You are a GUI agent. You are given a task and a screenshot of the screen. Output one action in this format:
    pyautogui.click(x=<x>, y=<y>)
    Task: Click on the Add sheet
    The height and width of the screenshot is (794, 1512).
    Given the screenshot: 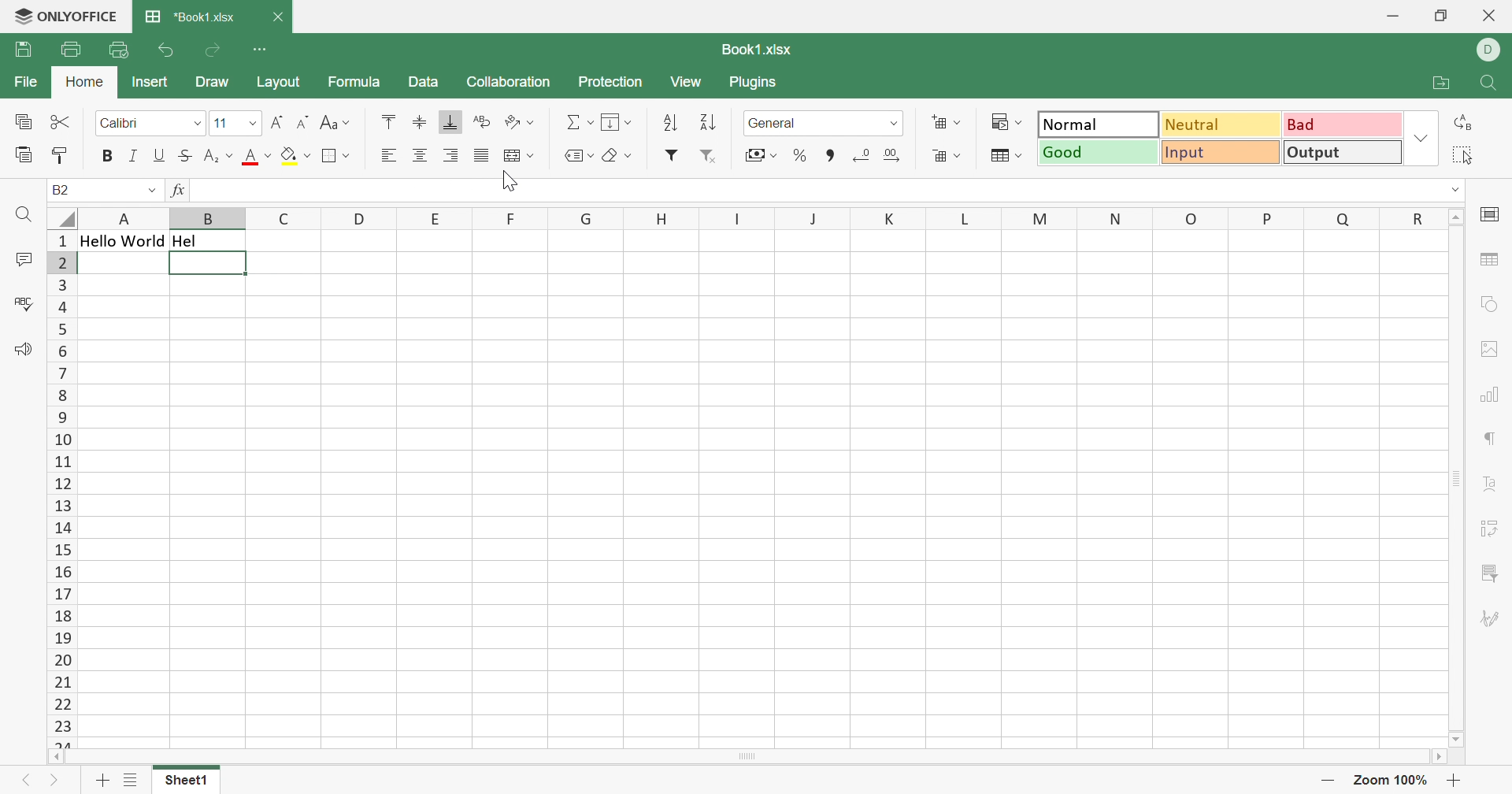 What is the action you would take?
    pyautogui.click(x=100, y=781)
    